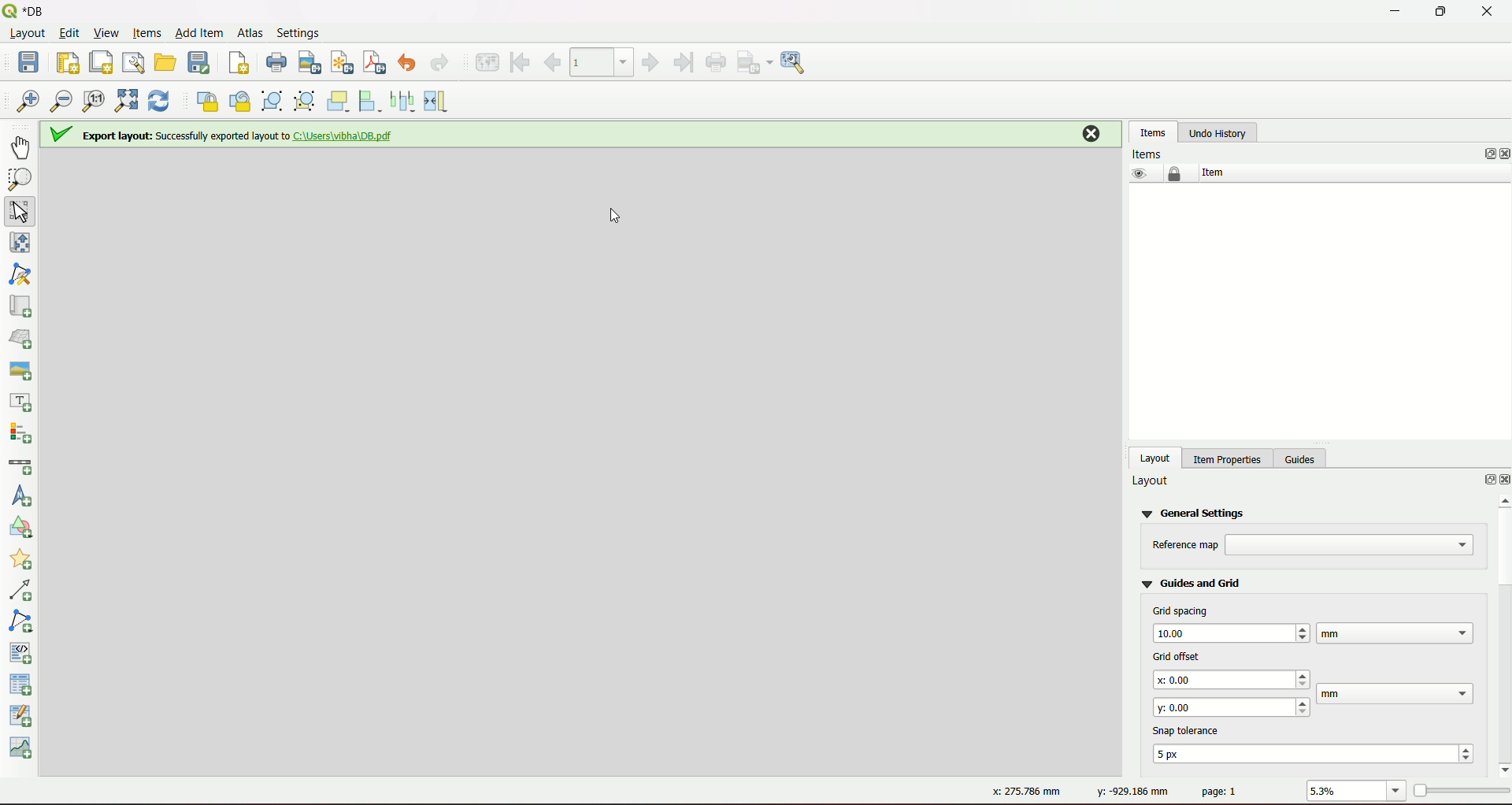 This screenshot has height=805, width=1512. What do you see at coordinates (19, 530) in the screenshot?
I see `add shape` at bounding box center [19, 530].